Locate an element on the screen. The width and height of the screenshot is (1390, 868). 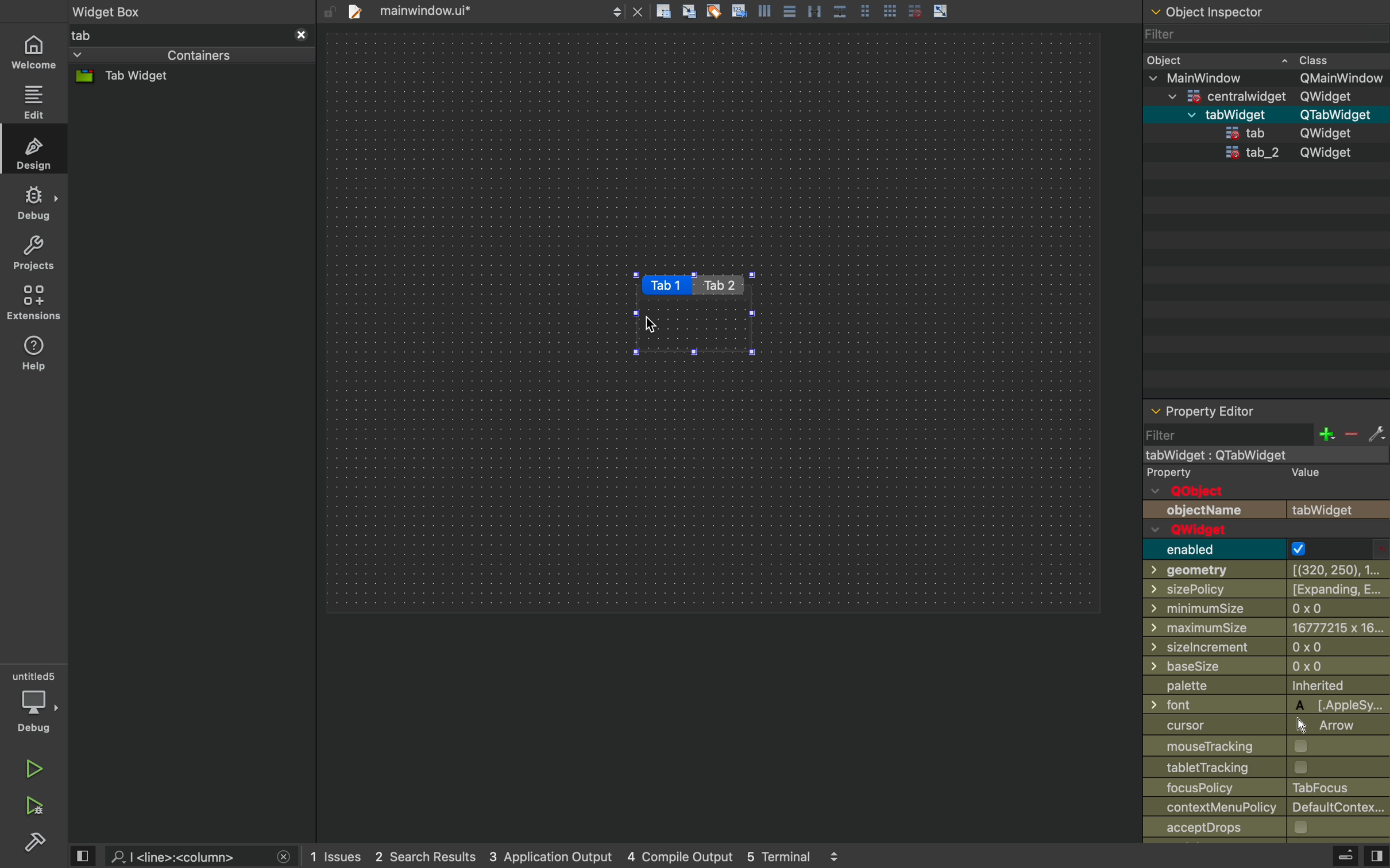
scale object is located at coordinates (940, 10).